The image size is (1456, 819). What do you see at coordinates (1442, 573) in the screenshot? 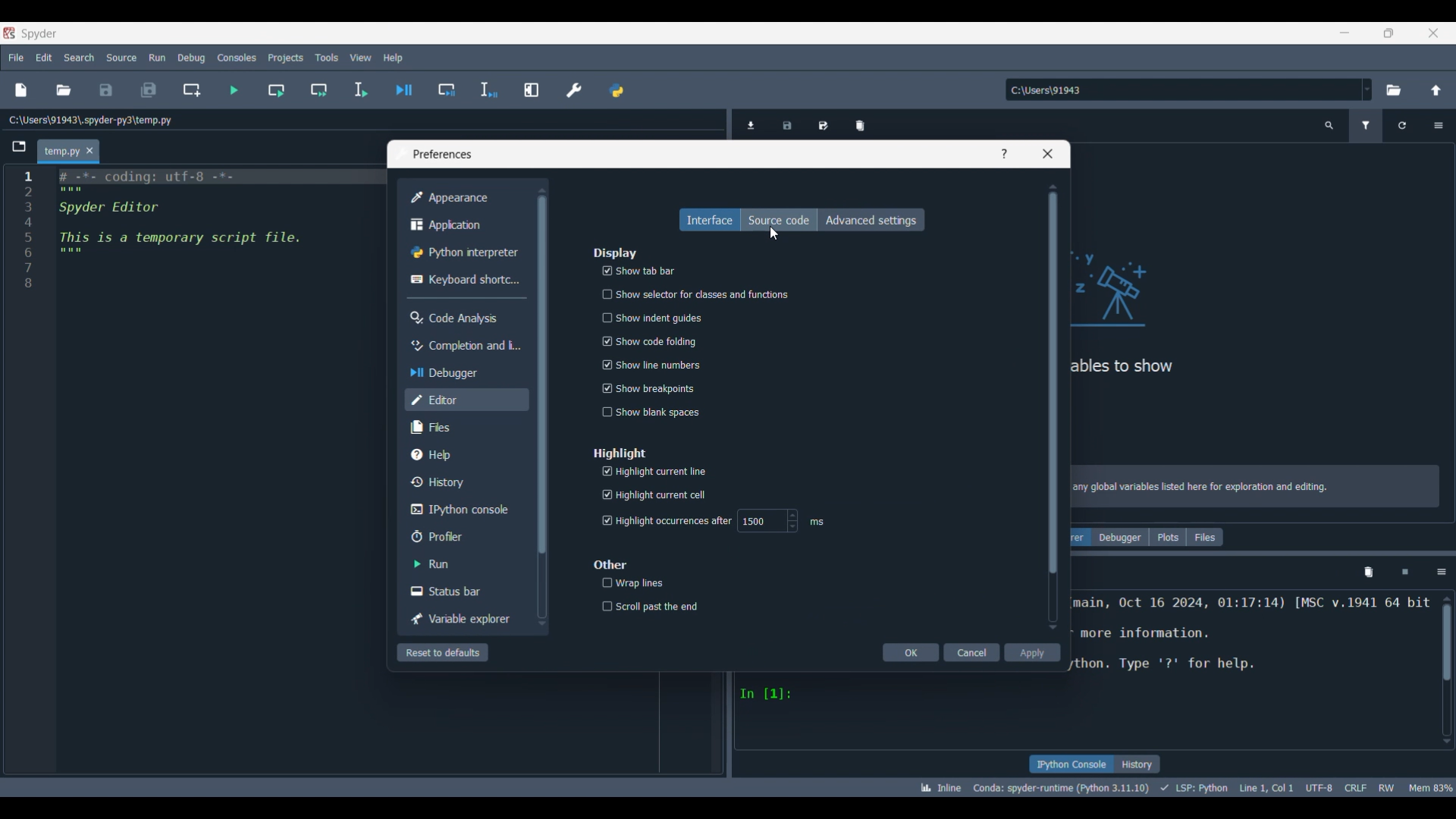
I see `Options` at bounding box center [1442, 573].